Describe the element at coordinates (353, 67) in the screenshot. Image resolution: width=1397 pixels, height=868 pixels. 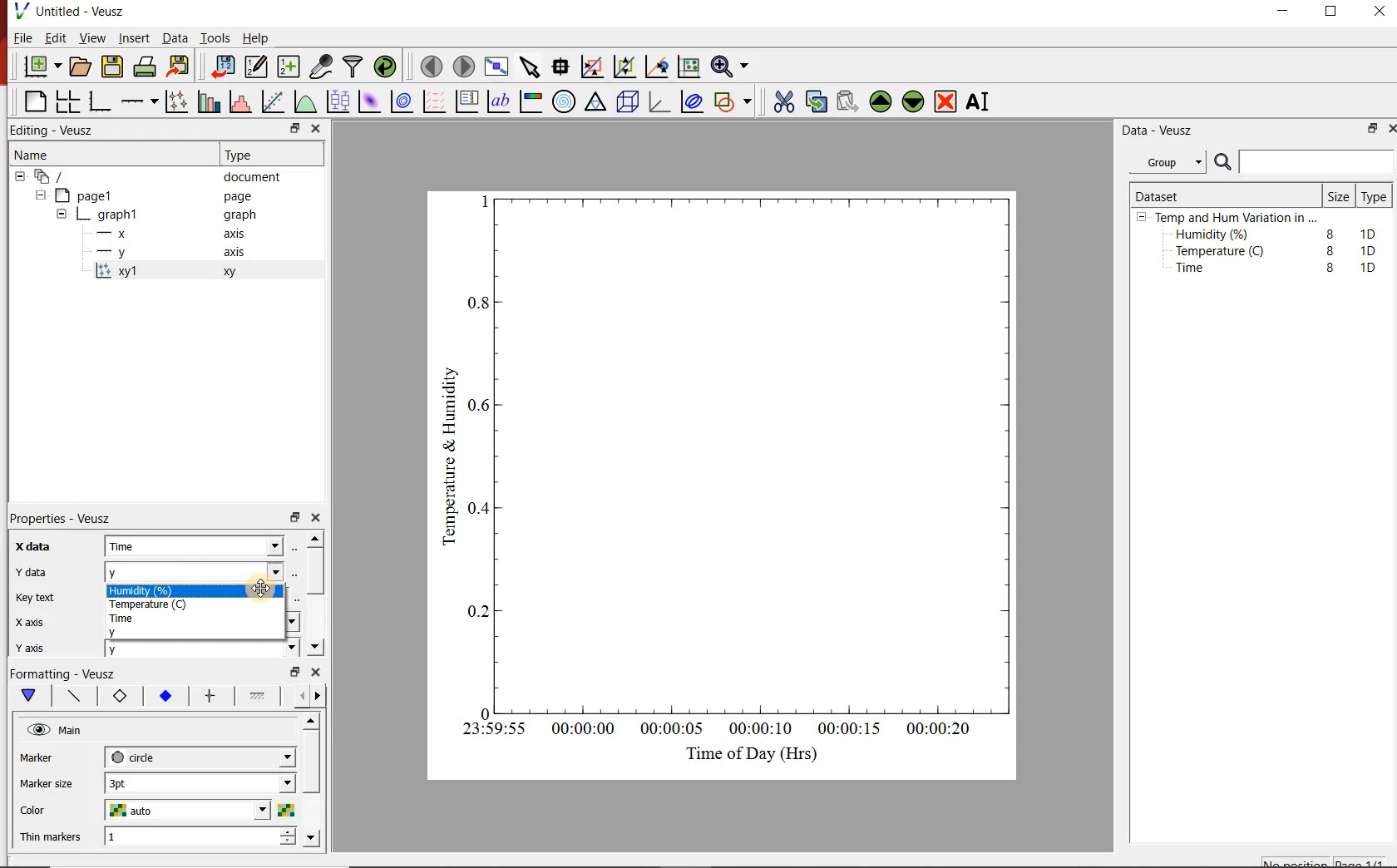
I see `filter data` at that location.